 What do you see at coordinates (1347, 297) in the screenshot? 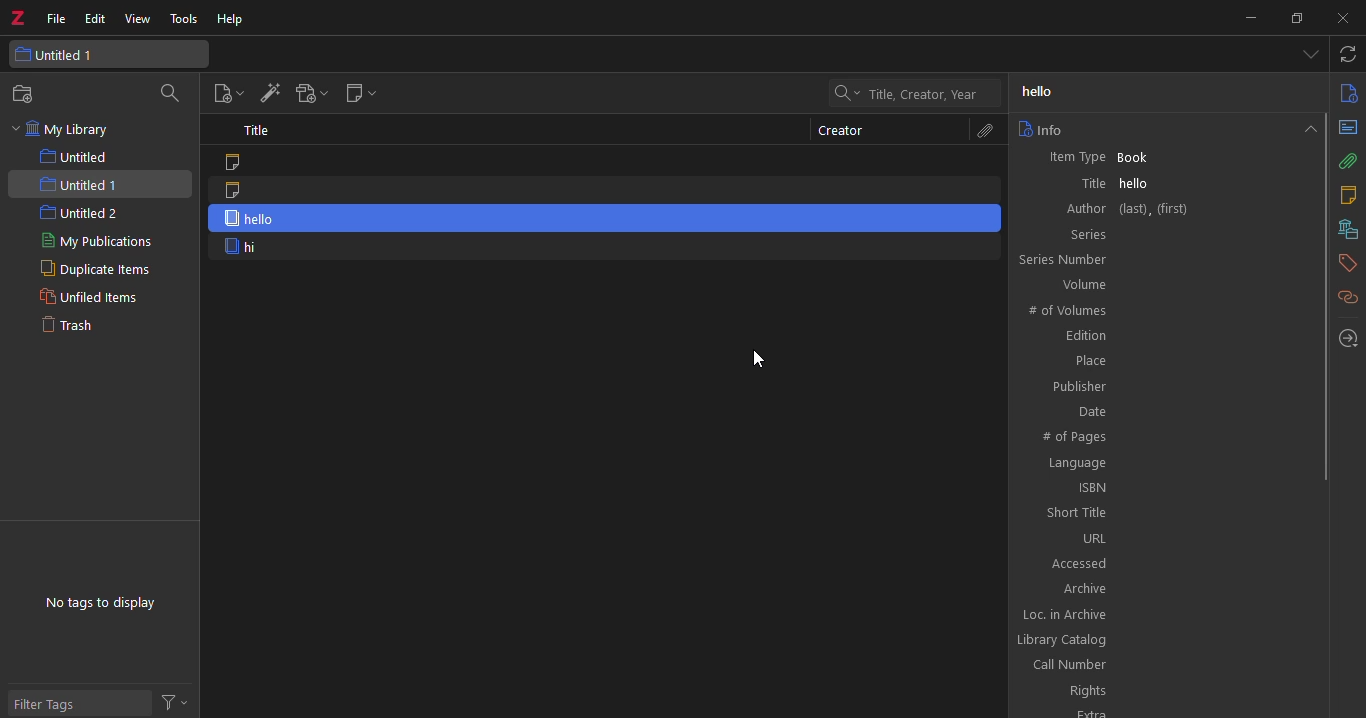
I see `related` at bounding box center [1347, 297].